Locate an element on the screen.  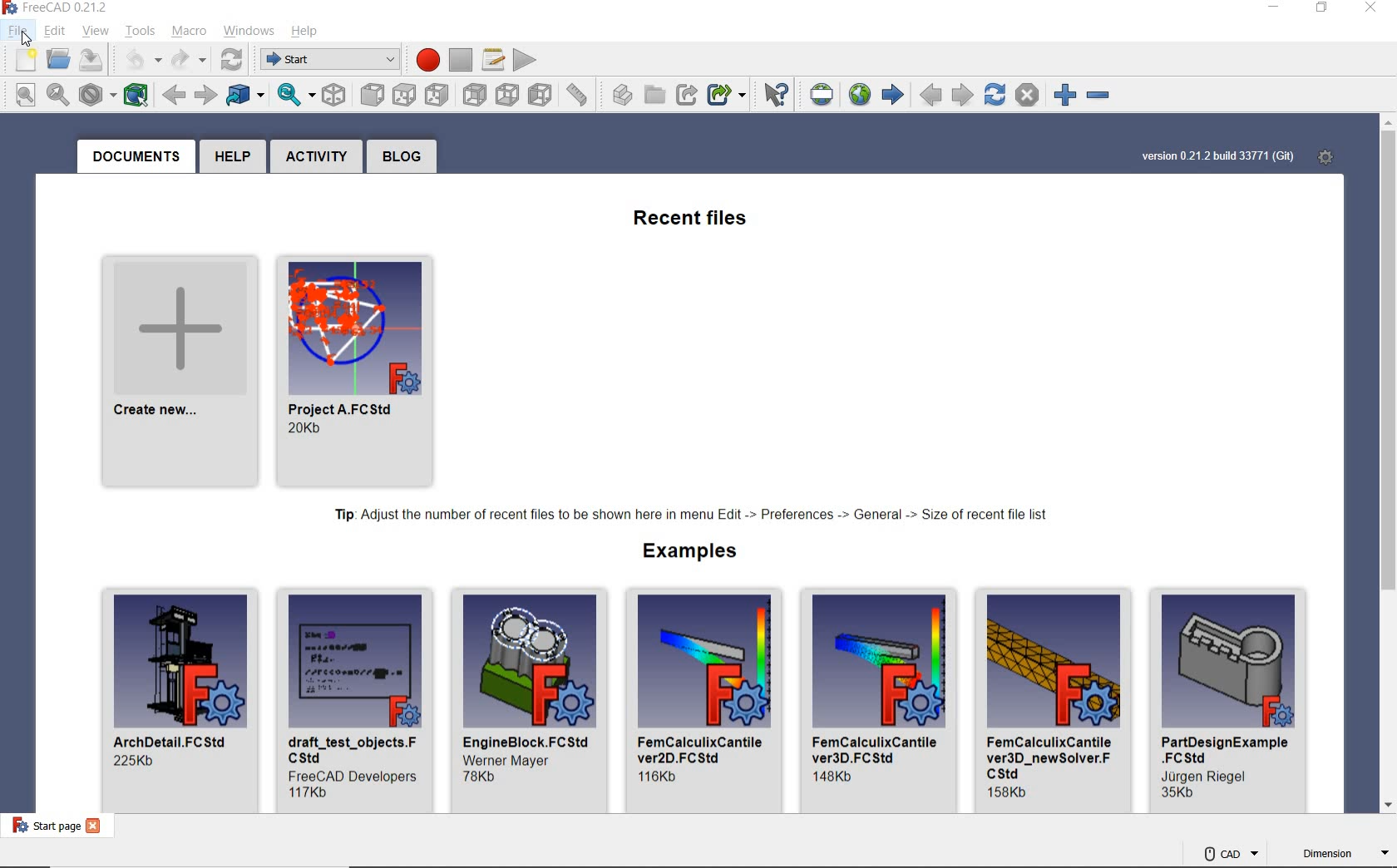
FRONT is located at coordinates (371, 95).